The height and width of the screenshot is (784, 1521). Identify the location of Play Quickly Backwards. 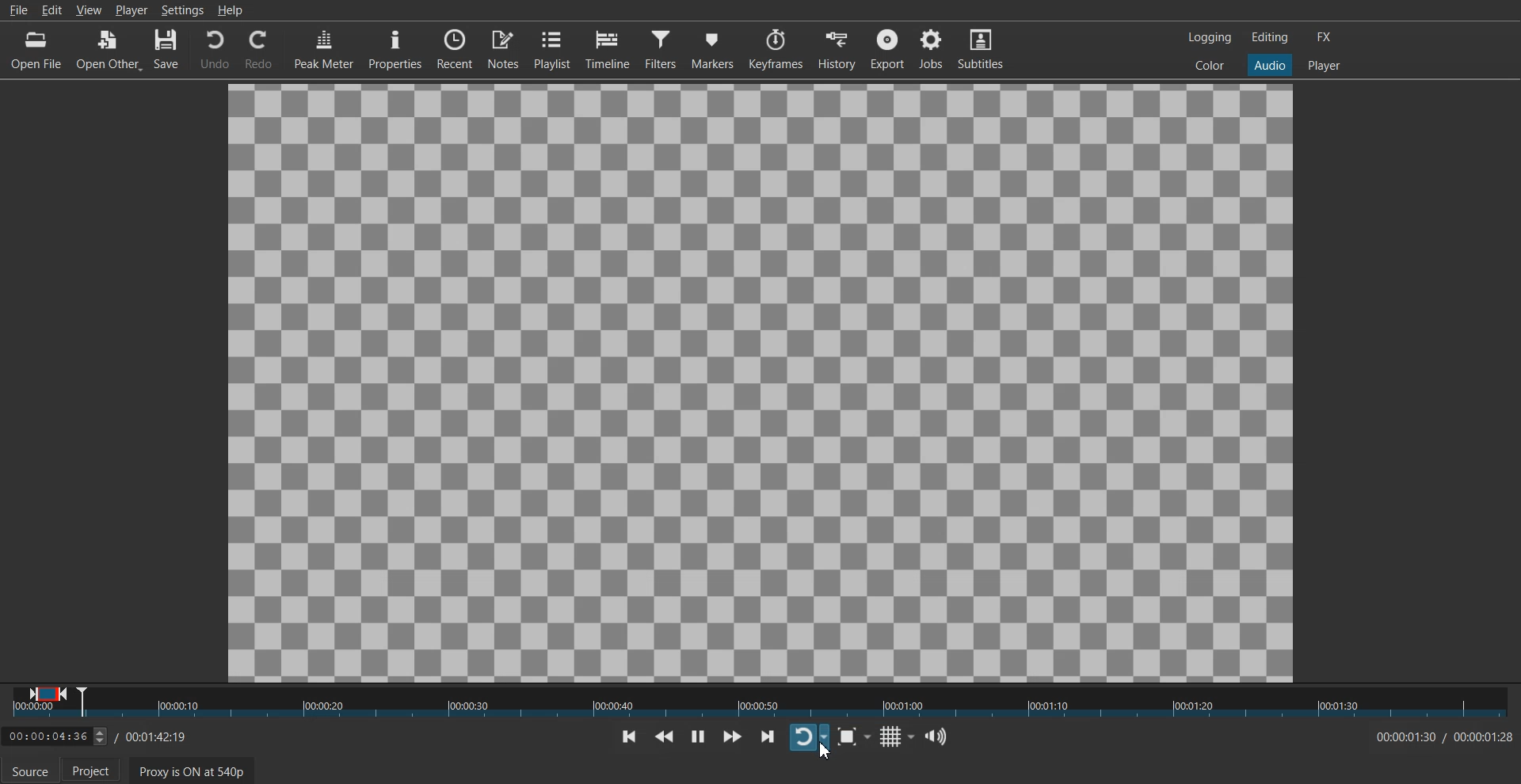
(664, 736).